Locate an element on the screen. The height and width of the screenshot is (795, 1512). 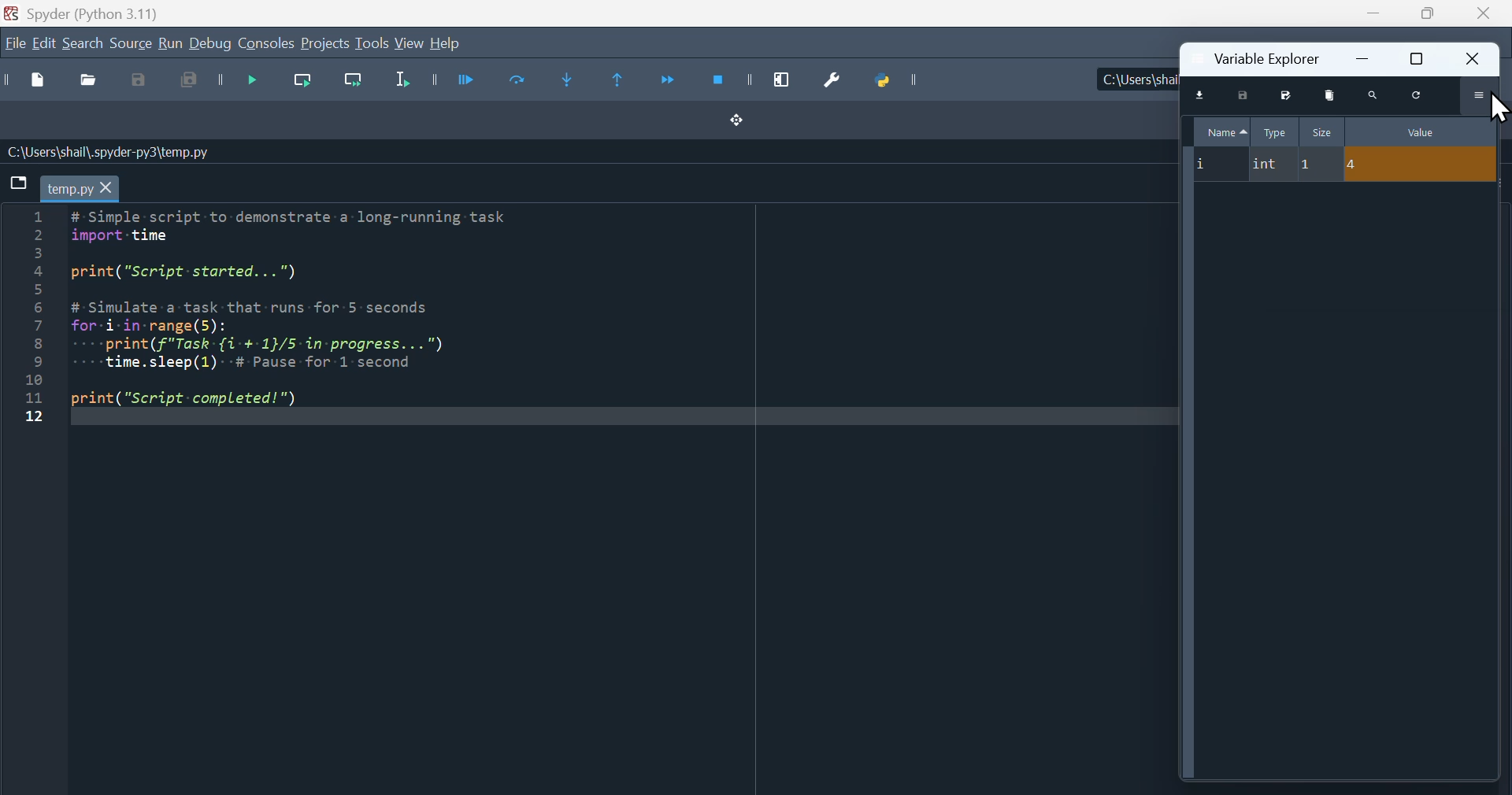
save data is located at coordinates (1243, 95).